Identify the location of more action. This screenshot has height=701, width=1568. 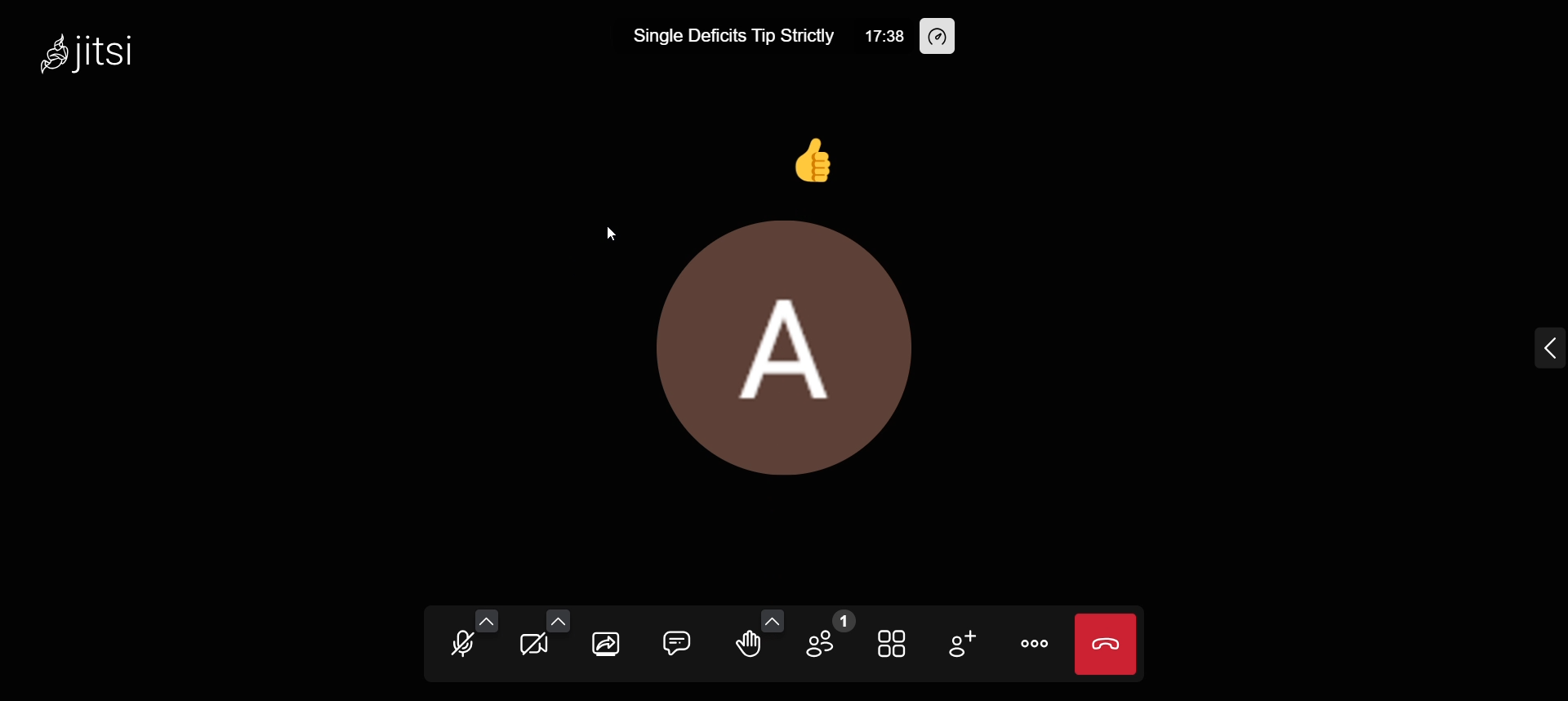
(1034, 644).